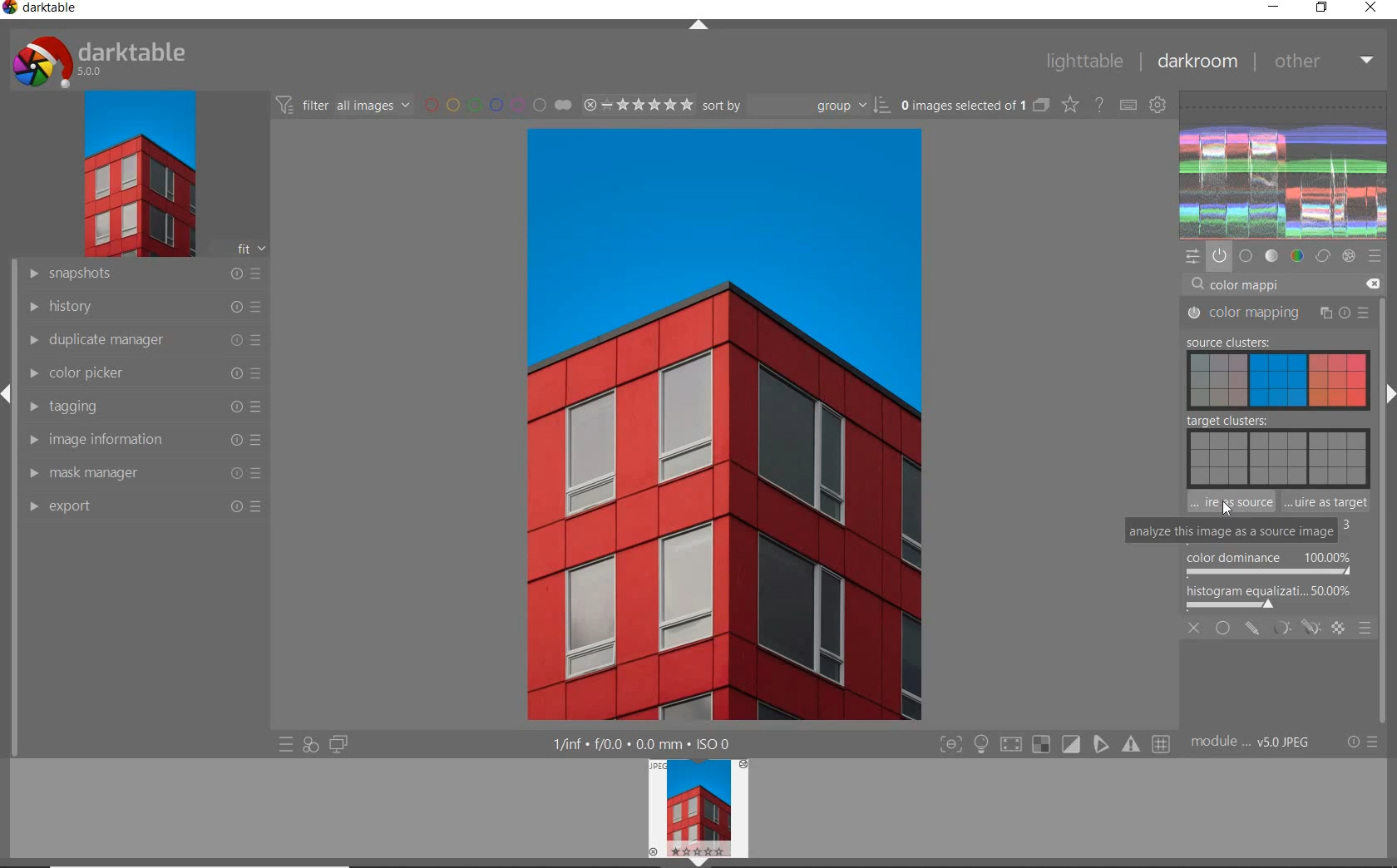 This screenshot has width=1397, height=868. I want to click on export, so click(144, 507).